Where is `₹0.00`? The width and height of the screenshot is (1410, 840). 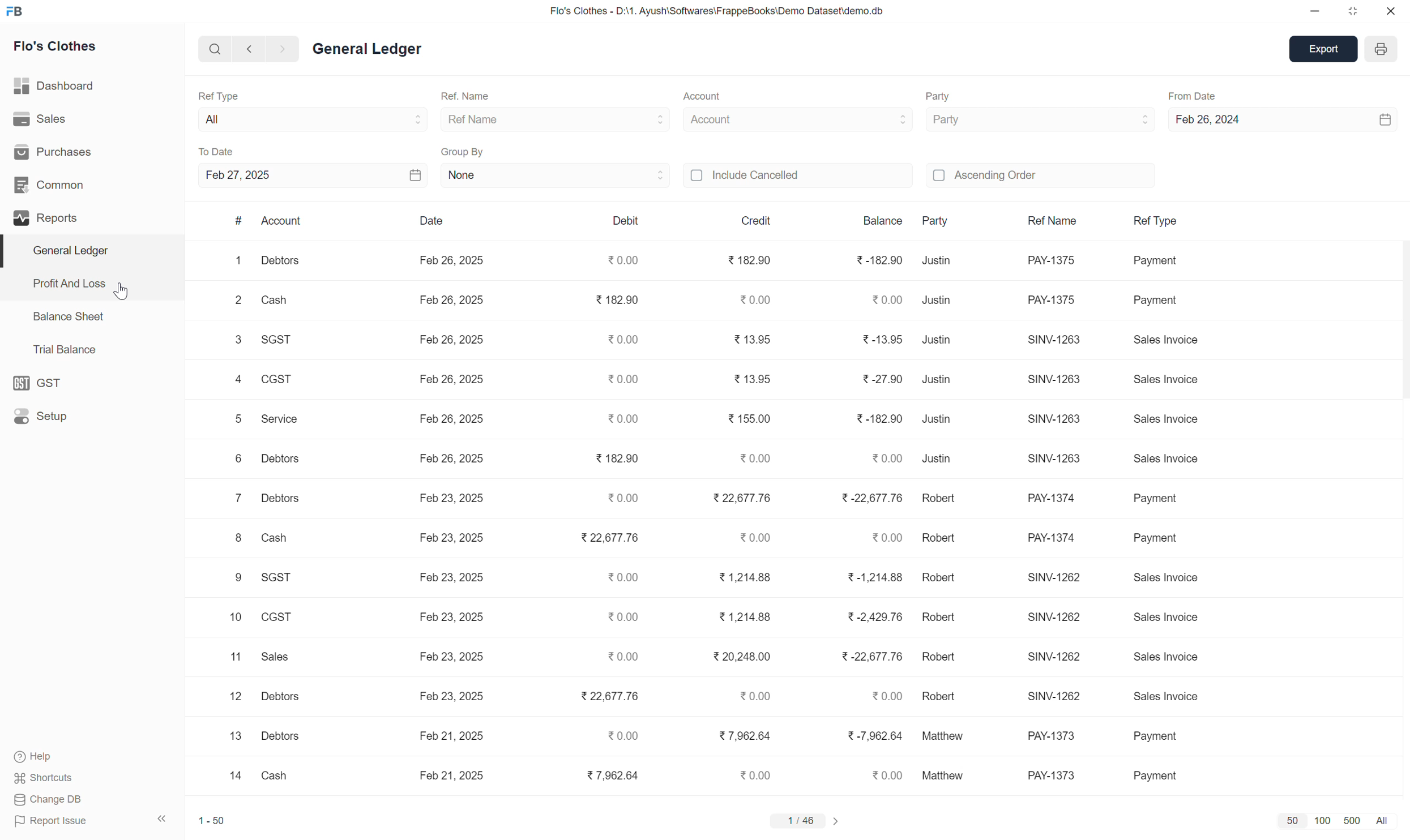 ₹0.00 is located at coordinates (624, 499).